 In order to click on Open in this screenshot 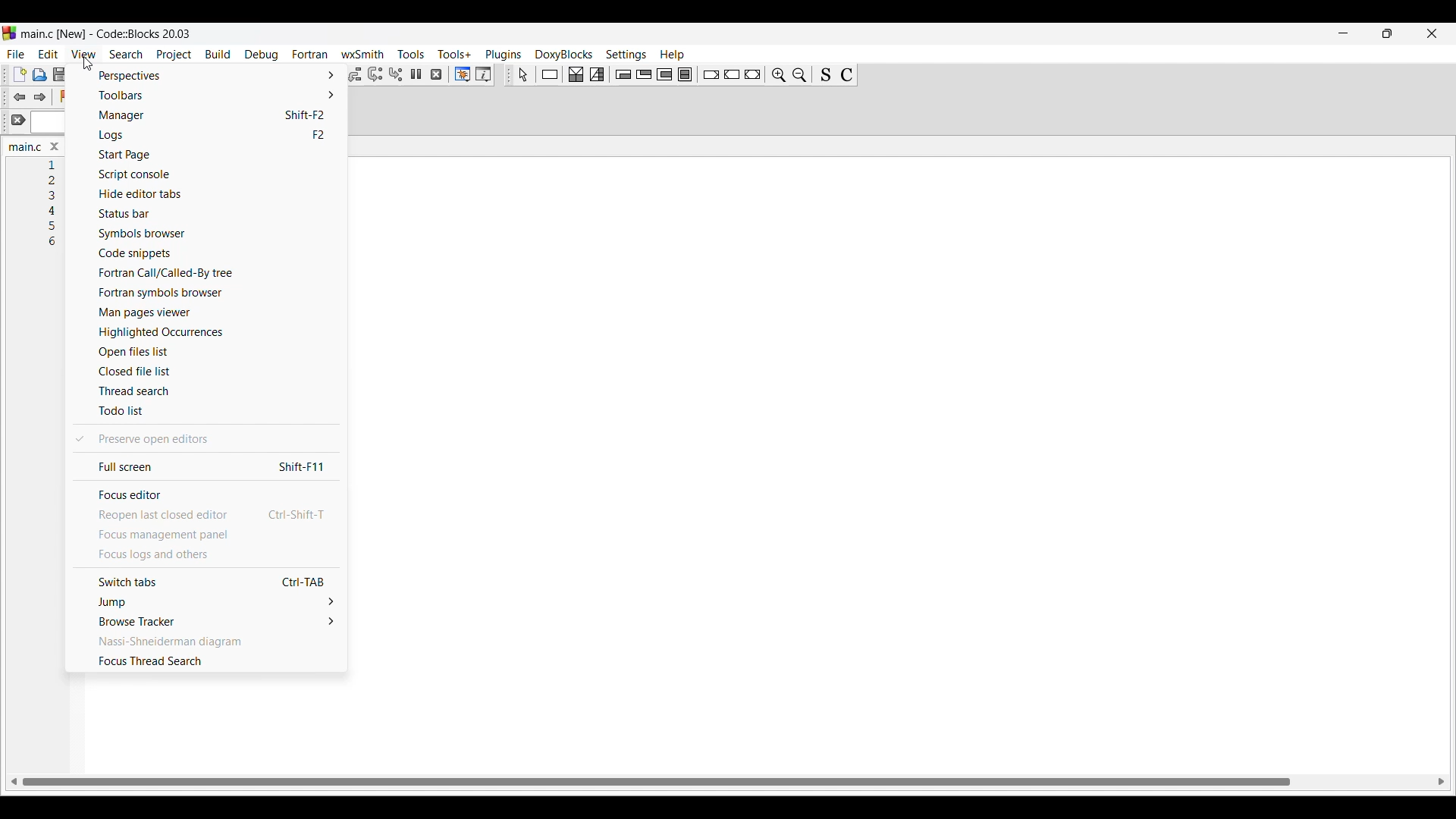, I will do `click(40, 75)`.